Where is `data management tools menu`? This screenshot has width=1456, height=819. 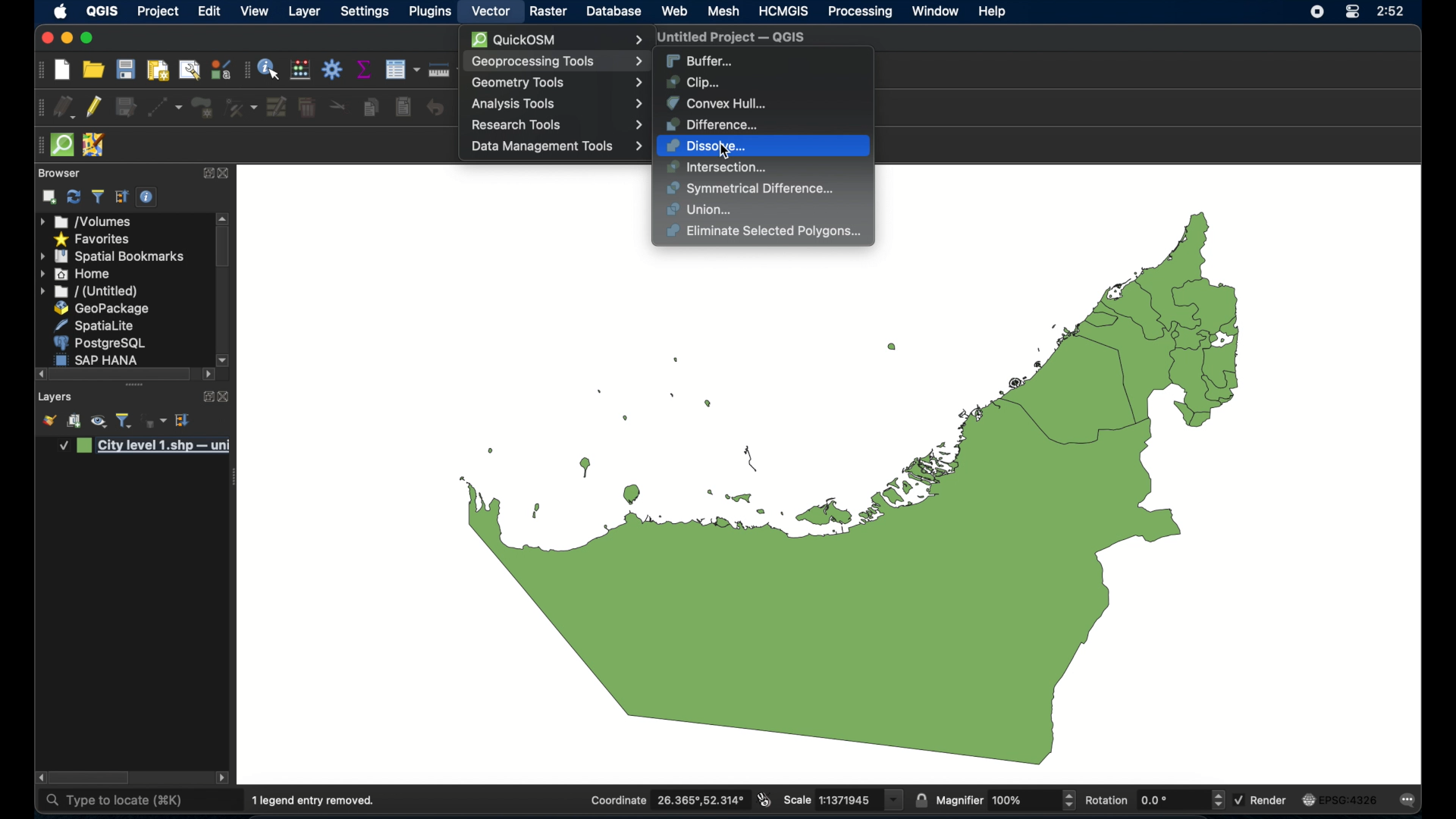 data management tools menu is located at coordinates (556, 146).